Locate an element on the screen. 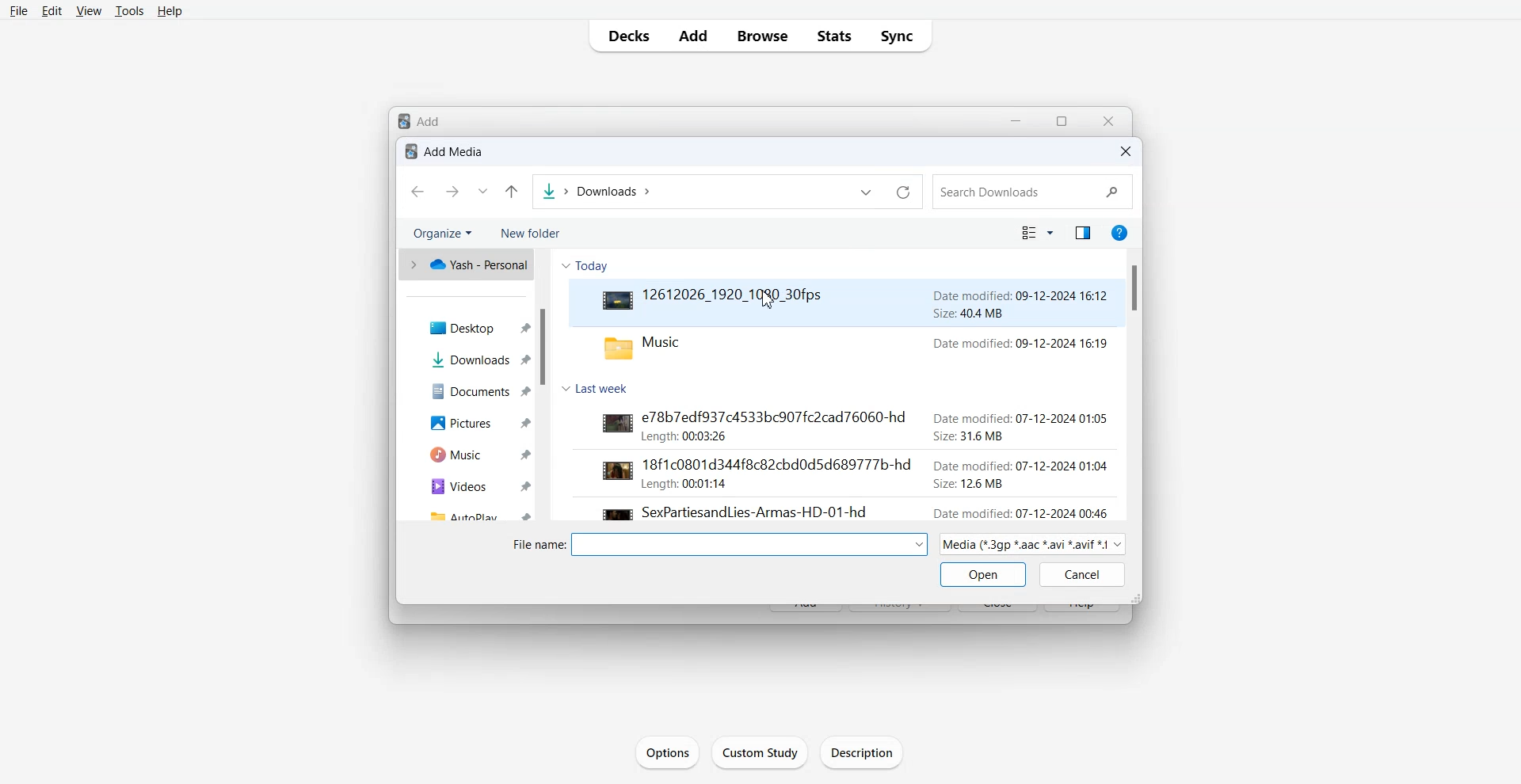 Image resolution: width=1521 pixels, height=784 pixels. Today is located at coordinates (587, 265).